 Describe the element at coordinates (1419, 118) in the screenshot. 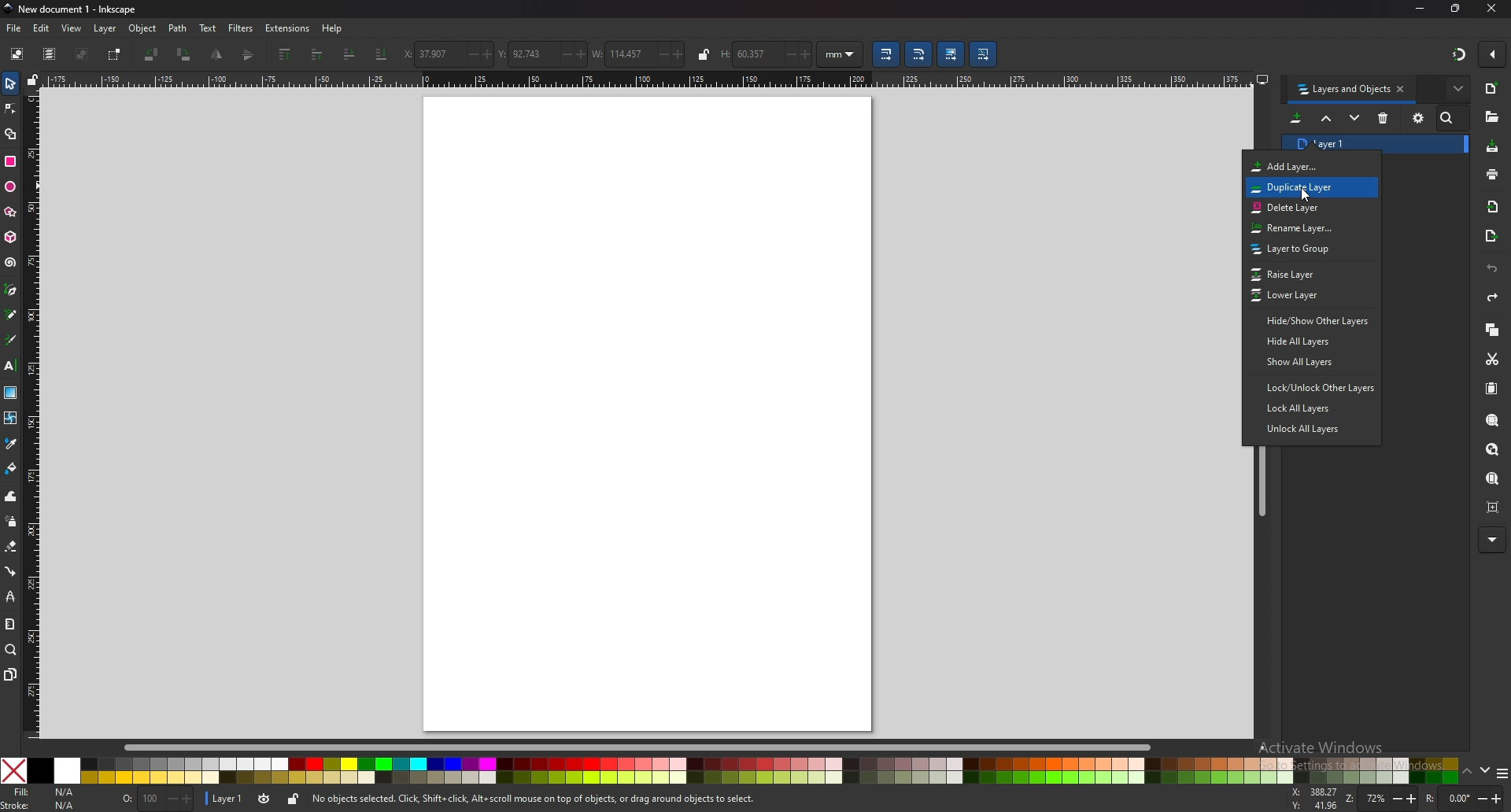

I see `settings` at that location.